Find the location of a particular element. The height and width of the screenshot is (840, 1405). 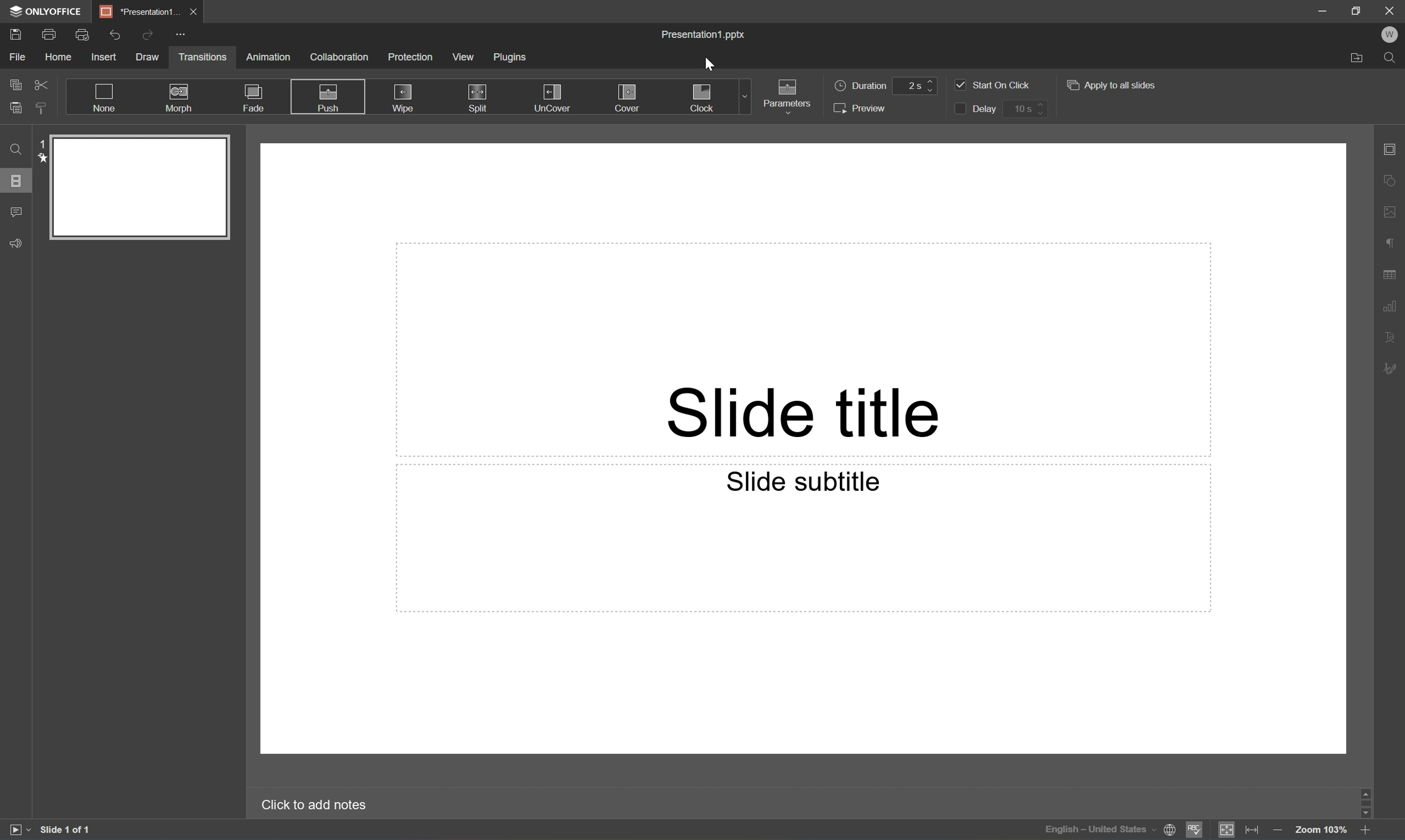

Transitions is located at coordinates (204, 57).